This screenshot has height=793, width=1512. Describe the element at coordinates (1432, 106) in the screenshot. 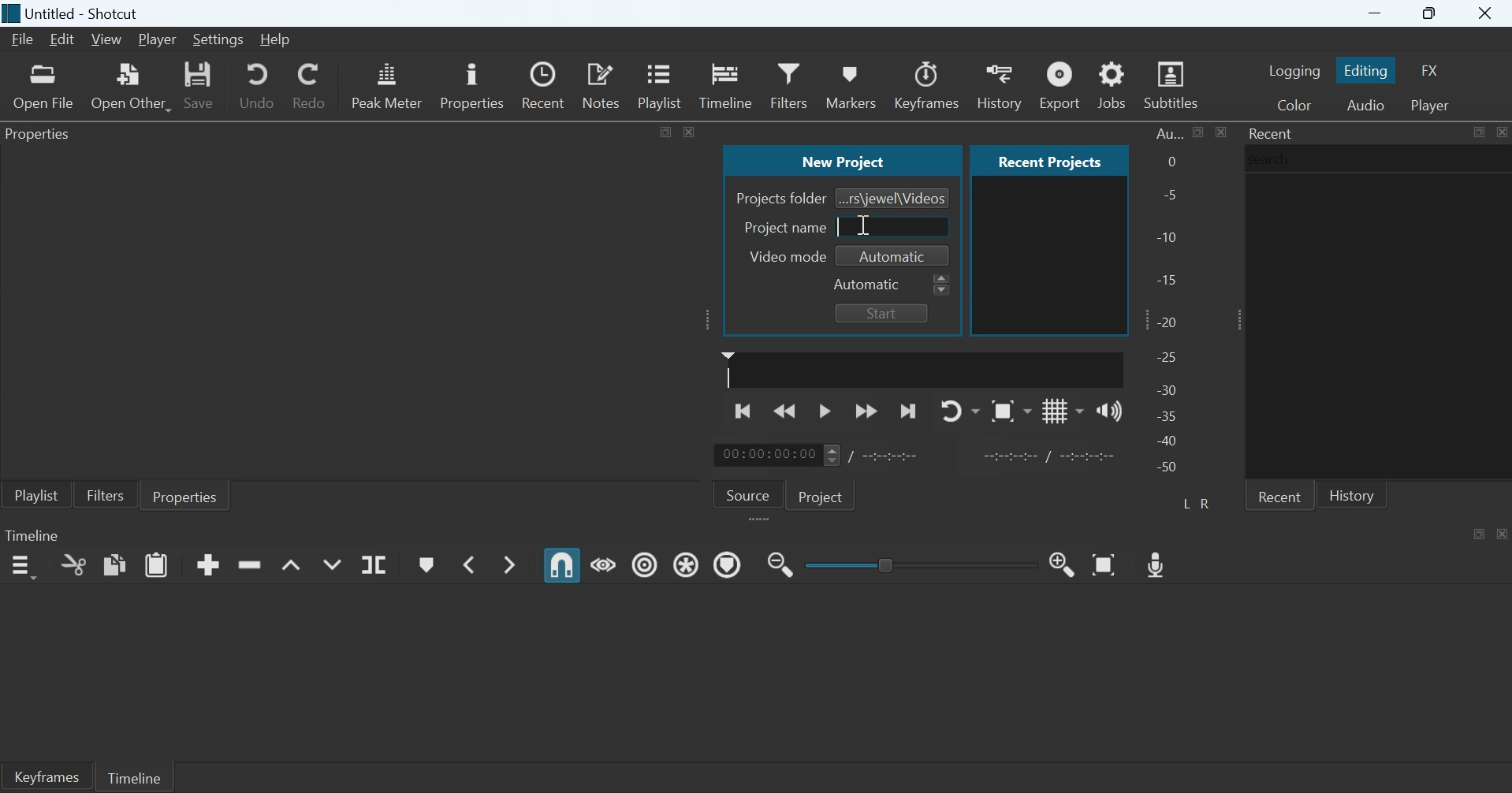

I see `Switch to the Player only layout` at that location.